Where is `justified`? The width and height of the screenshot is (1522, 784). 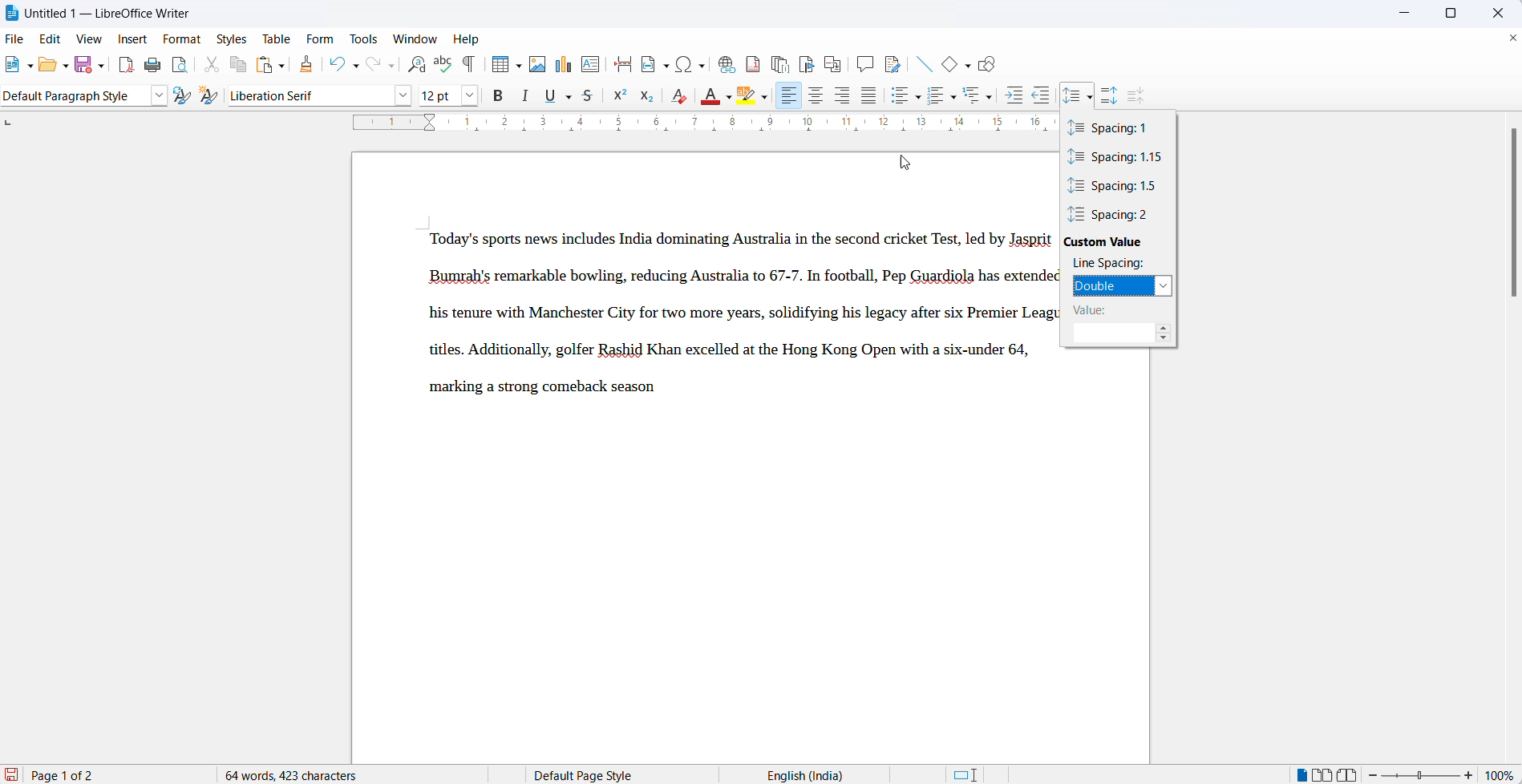
justified is located at coordinates (868, 96).